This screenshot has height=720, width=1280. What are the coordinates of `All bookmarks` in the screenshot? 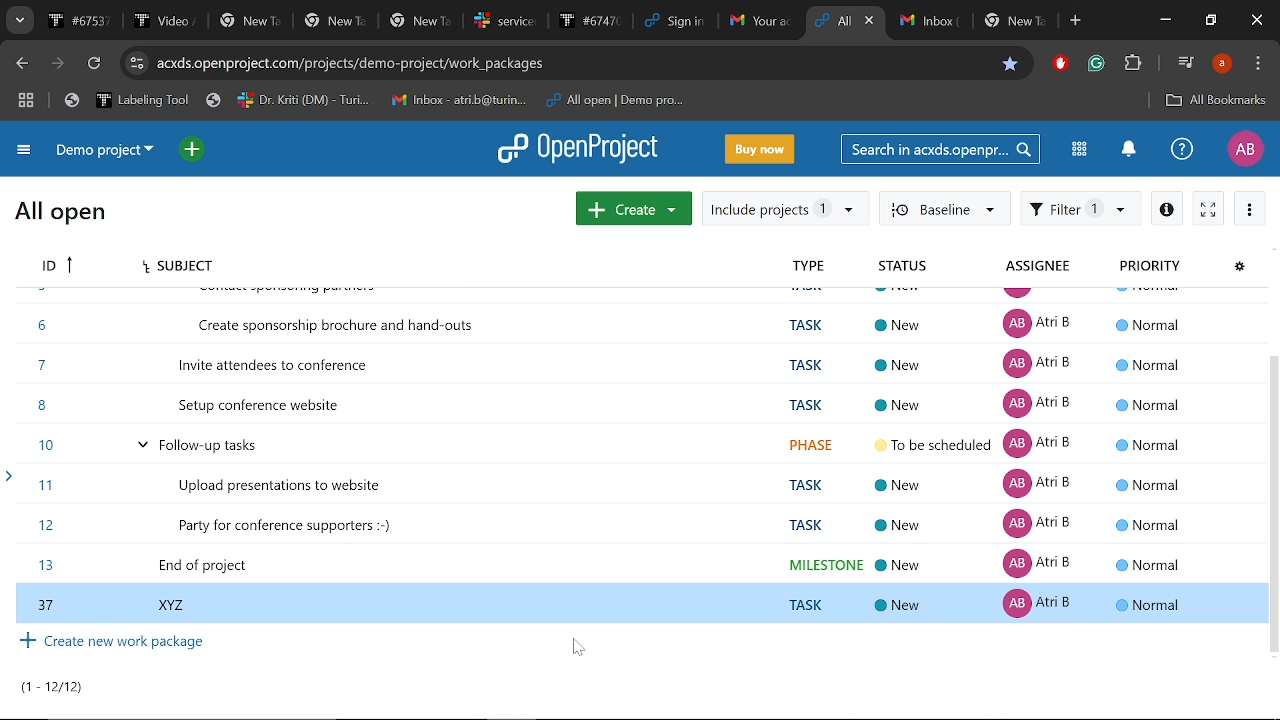 It's located at (1212, 103).